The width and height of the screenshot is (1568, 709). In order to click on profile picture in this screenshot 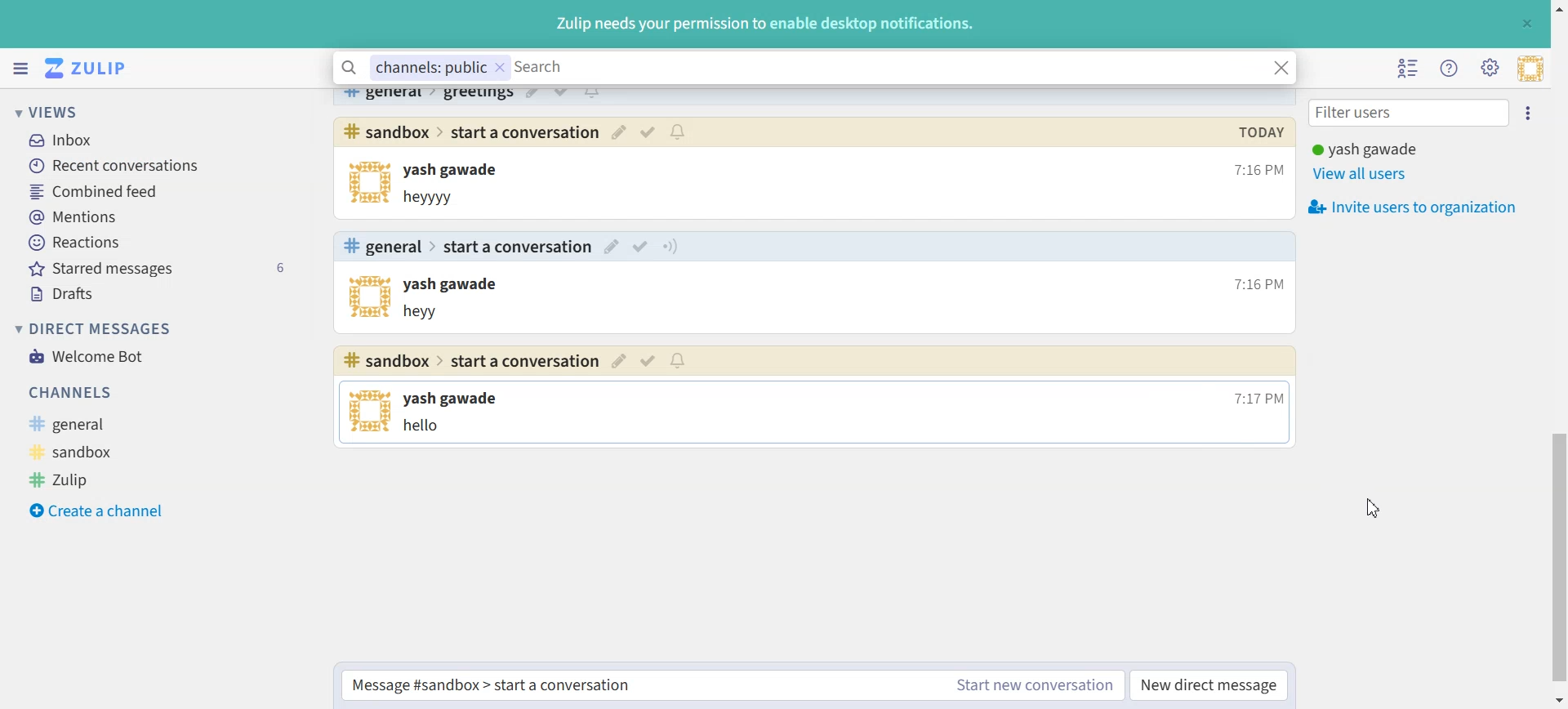, I will do `click(371, 298)`.